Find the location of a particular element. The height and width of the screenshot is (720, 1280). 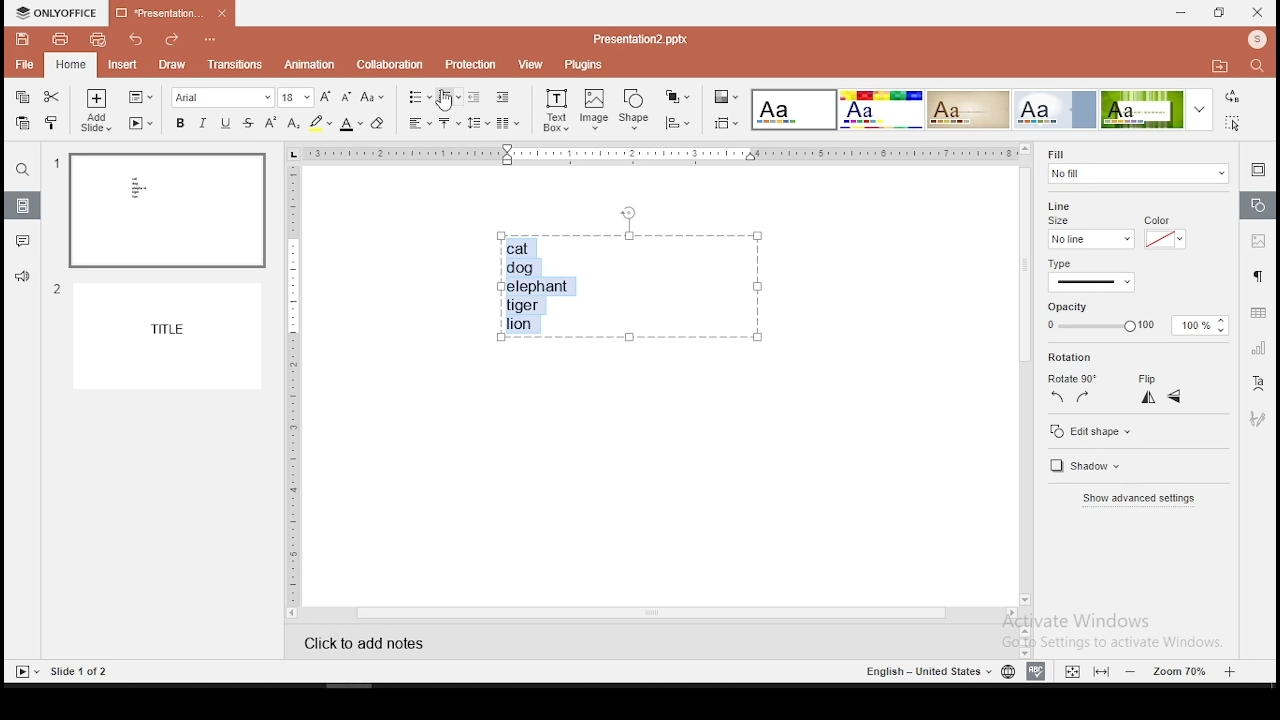

redo is located at coordinates (173, 38).